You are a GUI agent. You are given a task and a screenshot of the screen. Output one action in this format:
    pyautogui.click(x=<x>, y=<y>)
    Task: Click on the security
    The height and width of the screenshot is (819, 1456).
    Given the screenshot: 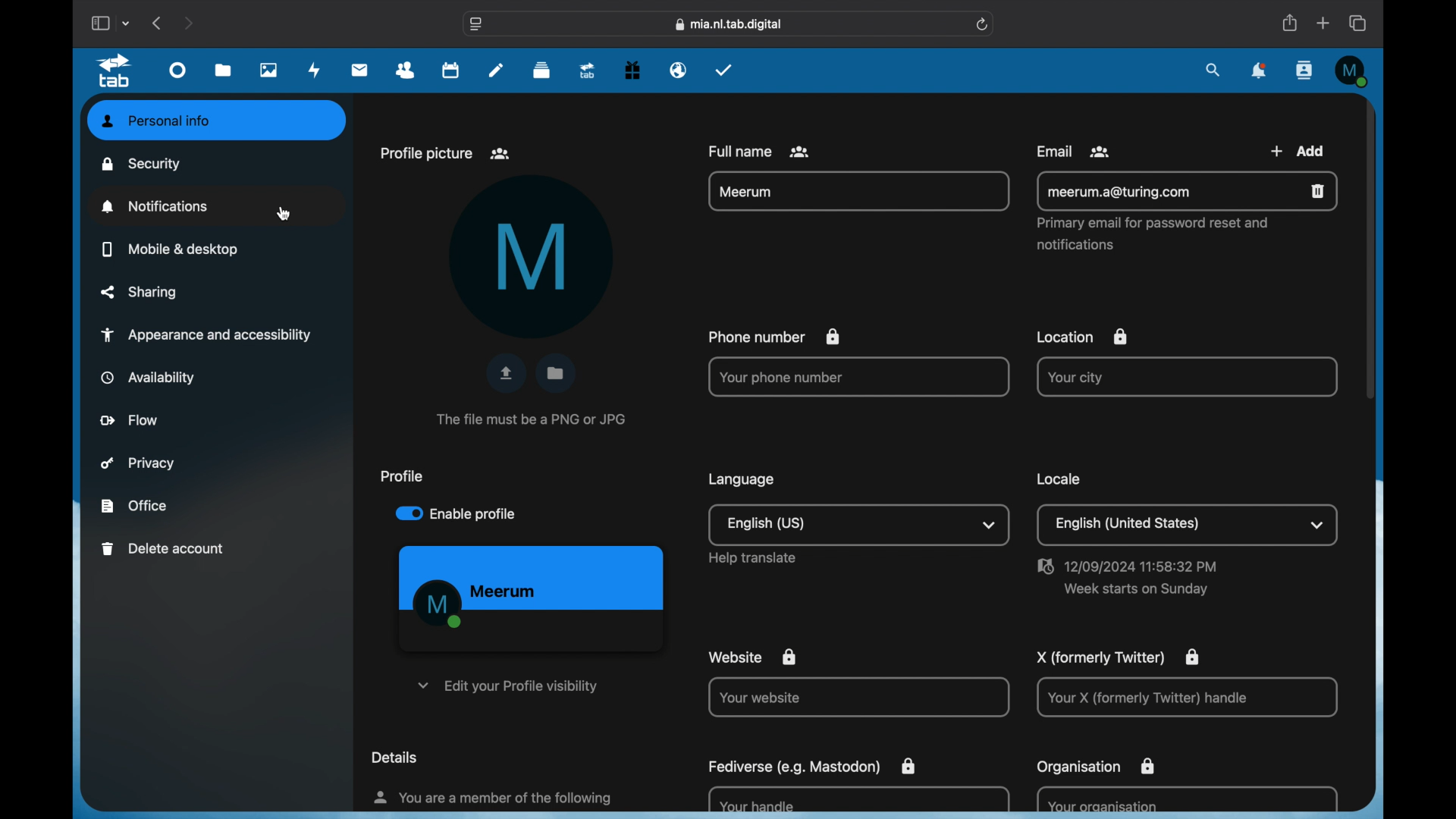 What is the action you would take?
    pyautogui.click(x=142, y=165)
    